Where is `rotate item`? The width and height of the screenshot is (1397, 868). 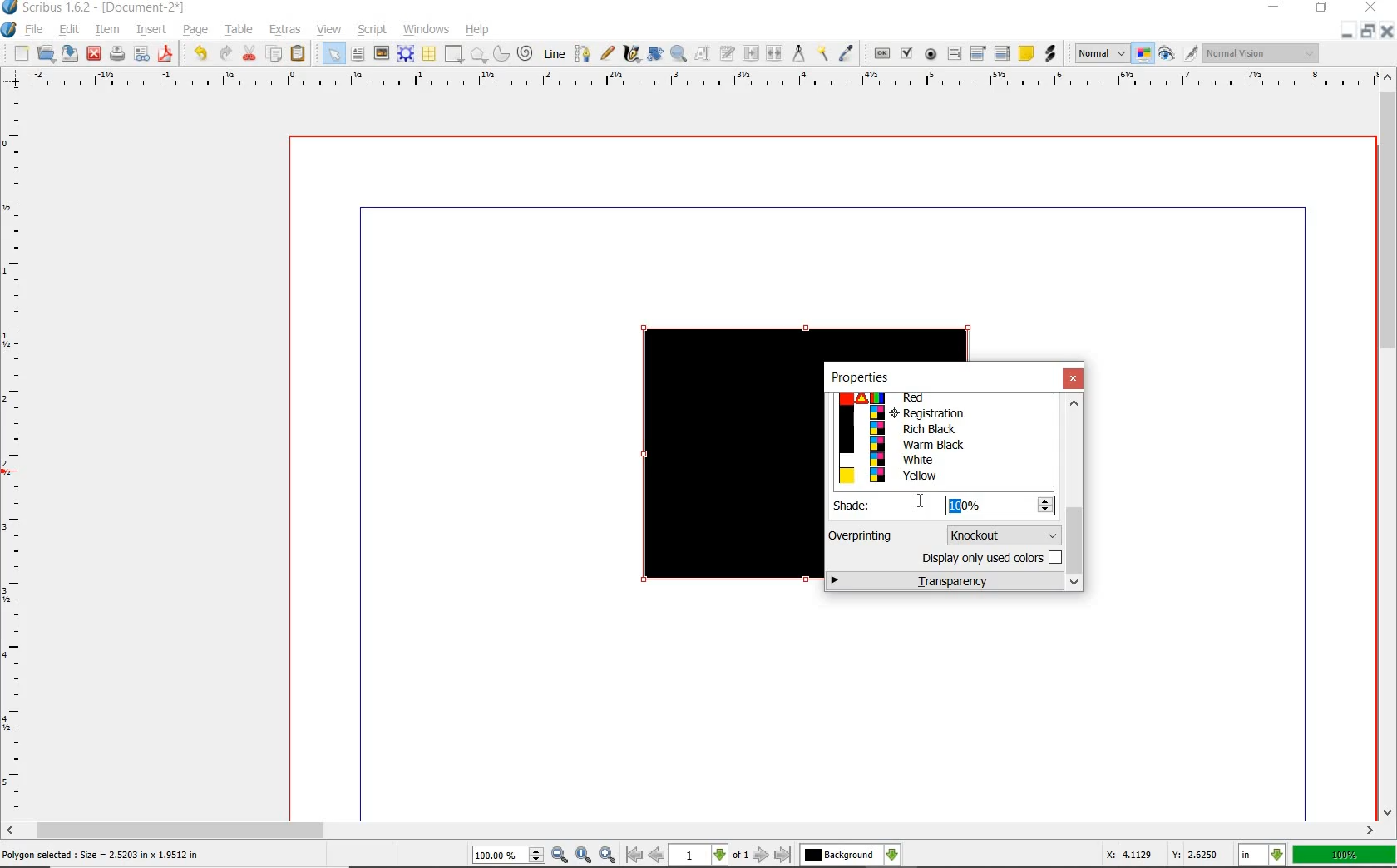
rotate item is located at coordinates (656, 53).